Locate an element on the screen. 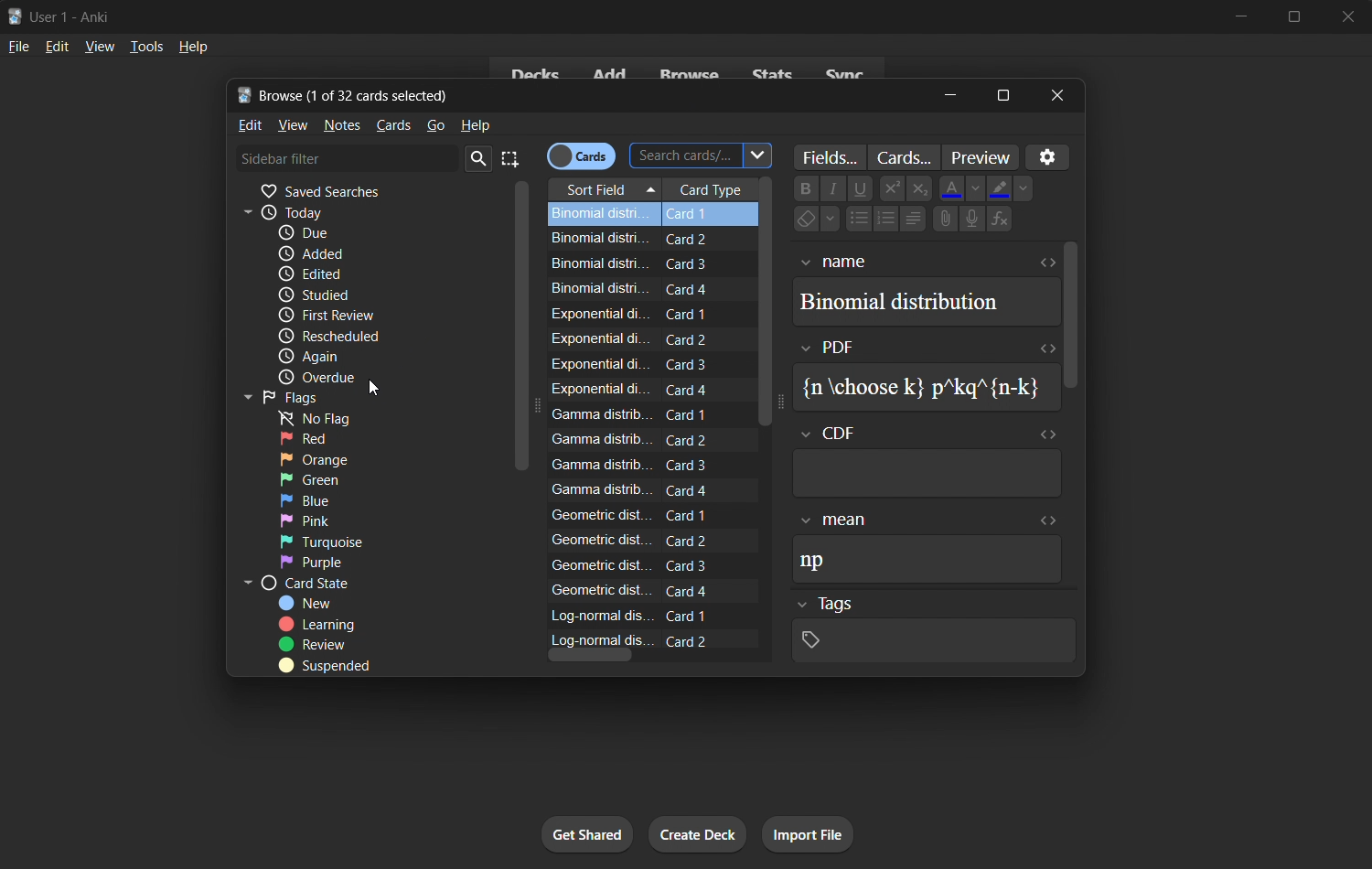  import file is located at coordinates (813, 832).